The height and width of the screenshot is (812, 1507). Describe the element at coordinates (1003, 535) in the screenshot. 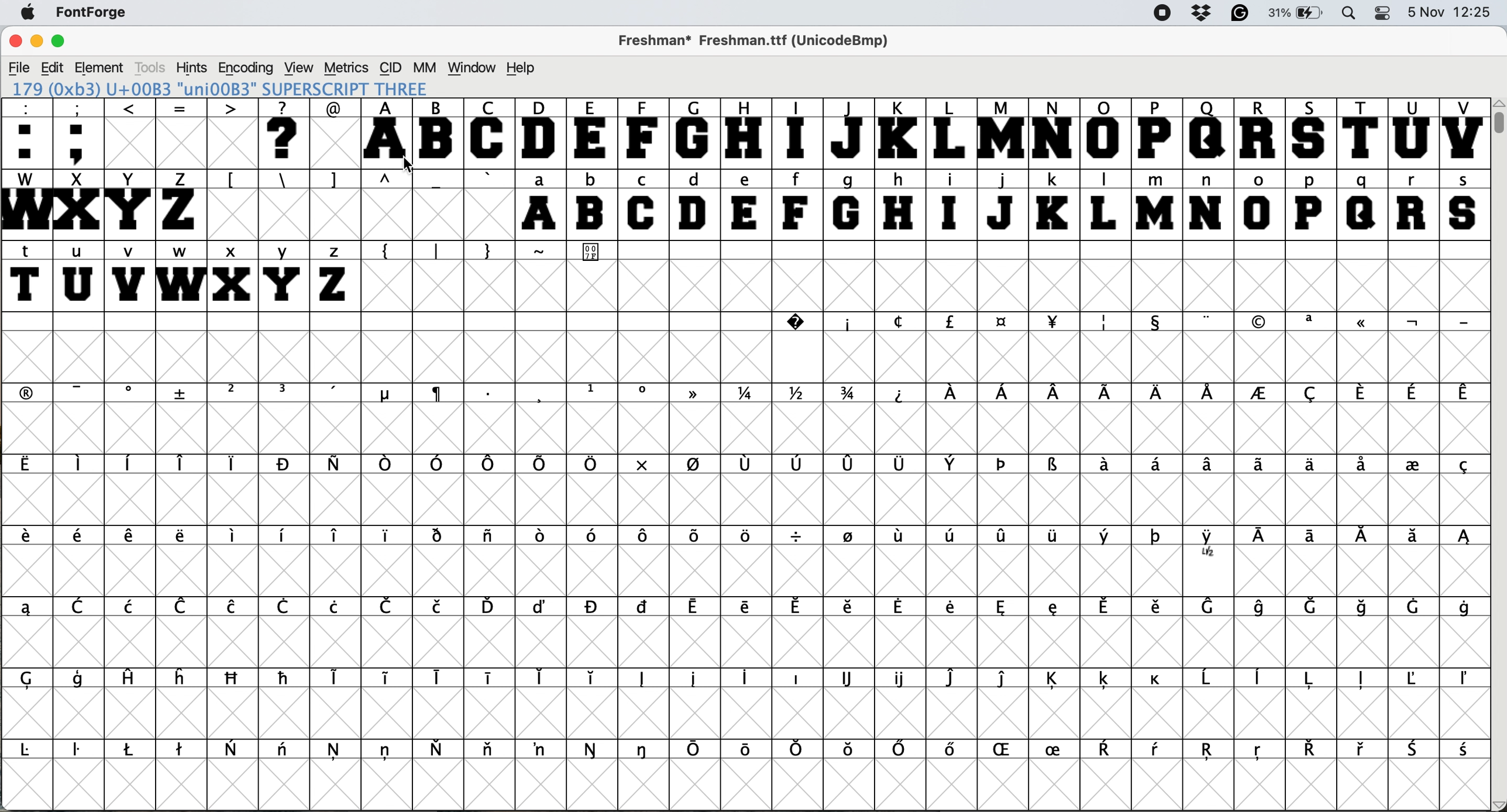

I see `symbol` at that location.